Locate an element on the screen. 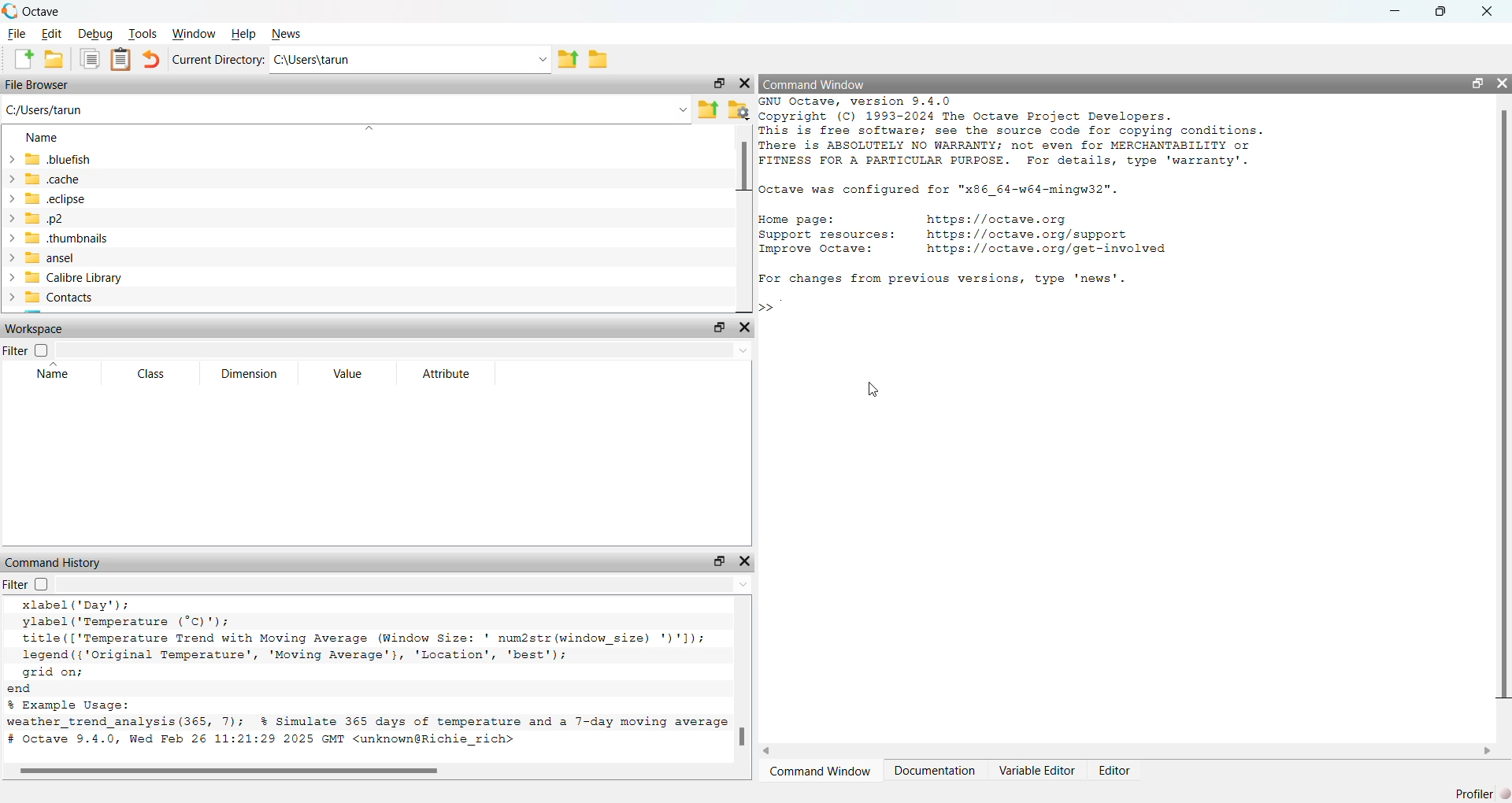 This screenshot has width=1512, height=803. Contacts is located at coordinates (54, 296).